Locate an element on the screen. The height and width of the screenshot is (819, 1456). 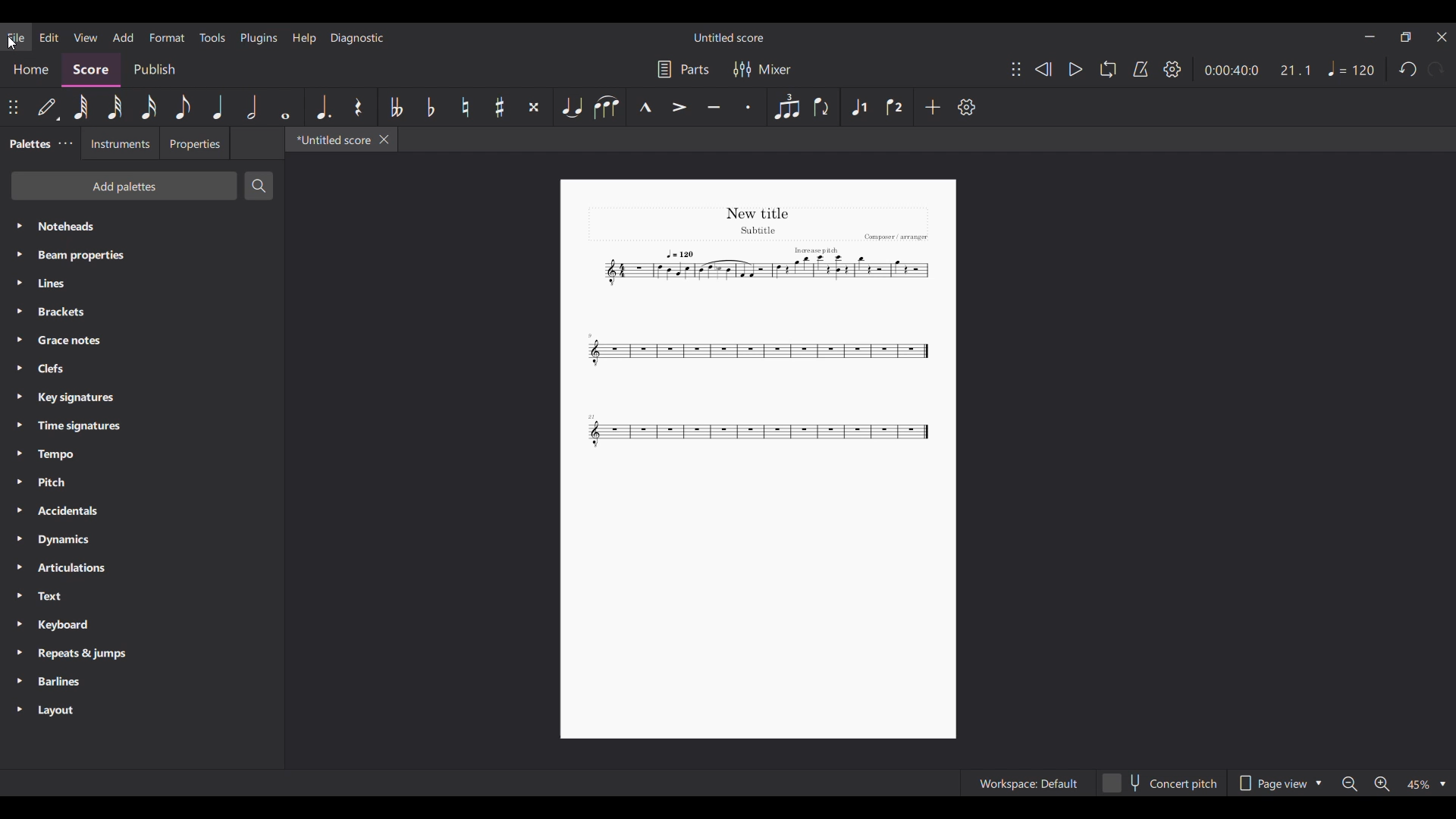
8th note is located at coordinates (183, 107).